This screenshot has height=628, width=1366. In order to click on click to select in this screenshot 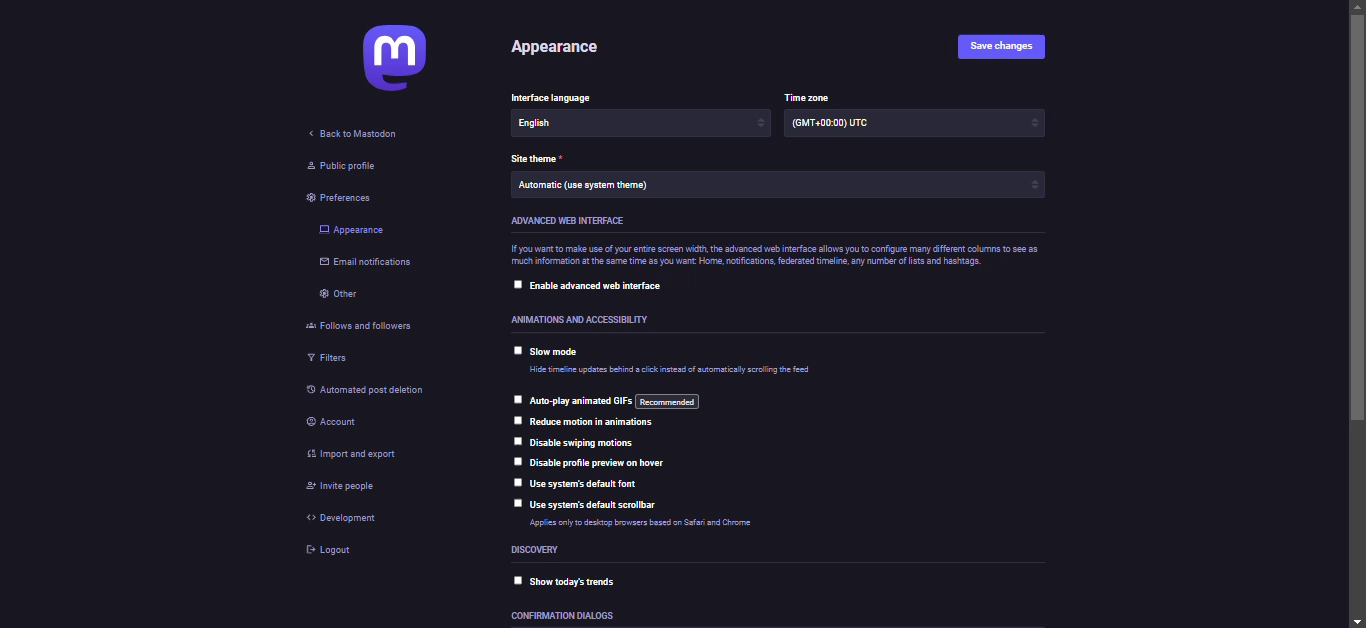, I will do `click(517, 462)`.